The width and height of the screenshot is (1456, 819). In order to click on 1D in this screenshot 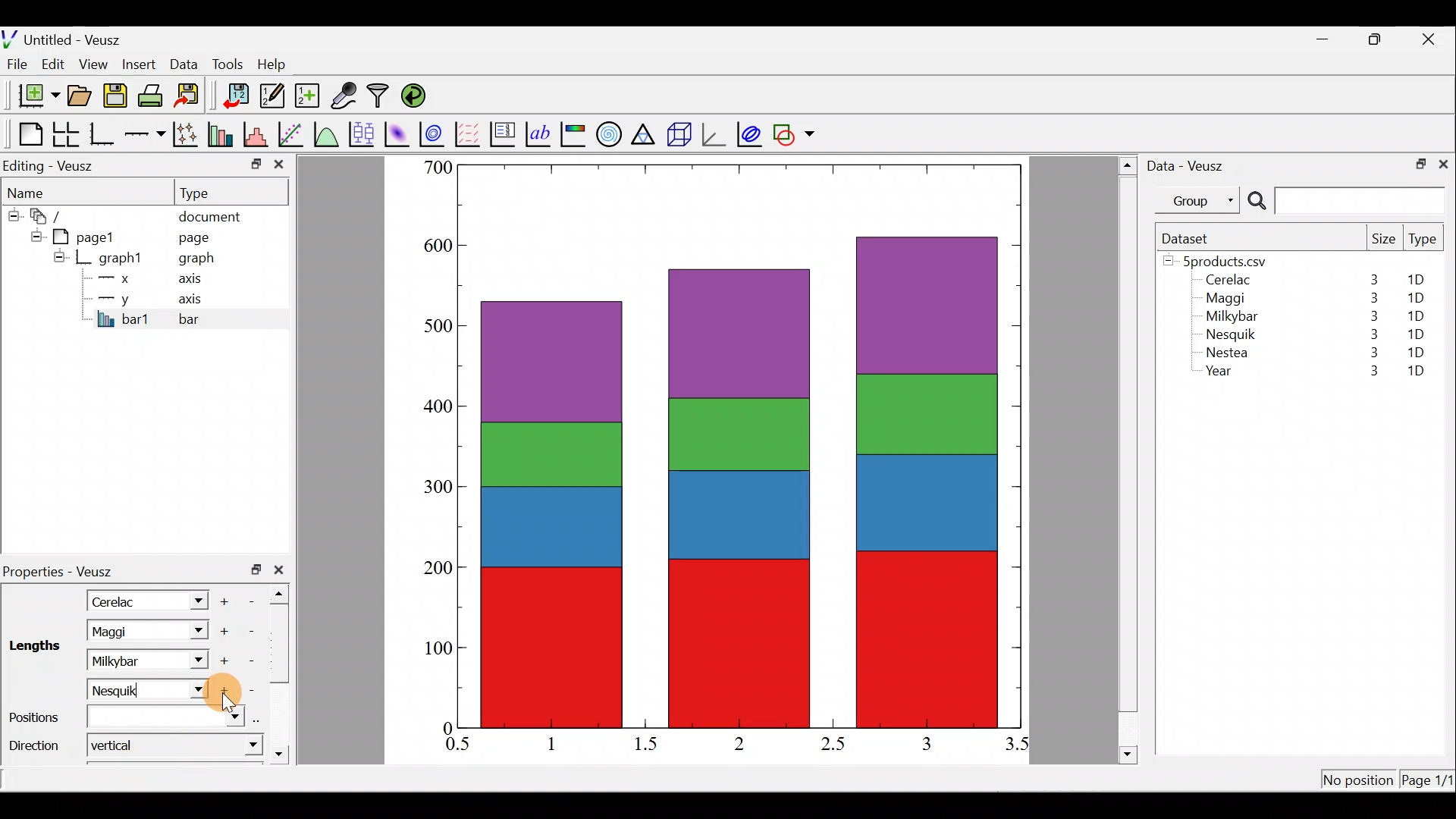, I will do `click(1418, 331)`.